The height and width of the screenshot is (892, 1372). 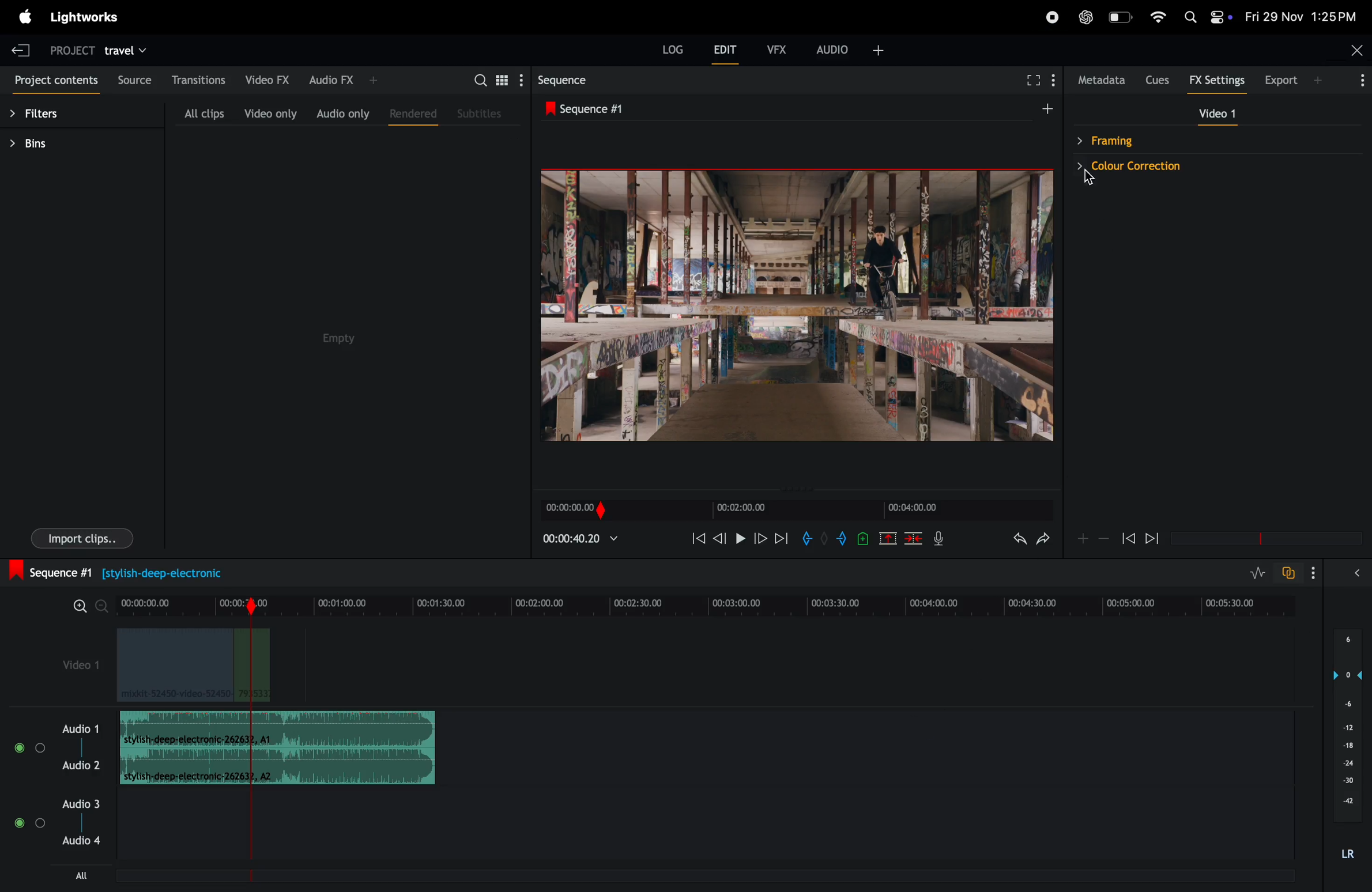 I want to click on search bar, so click(x=474, y=78).